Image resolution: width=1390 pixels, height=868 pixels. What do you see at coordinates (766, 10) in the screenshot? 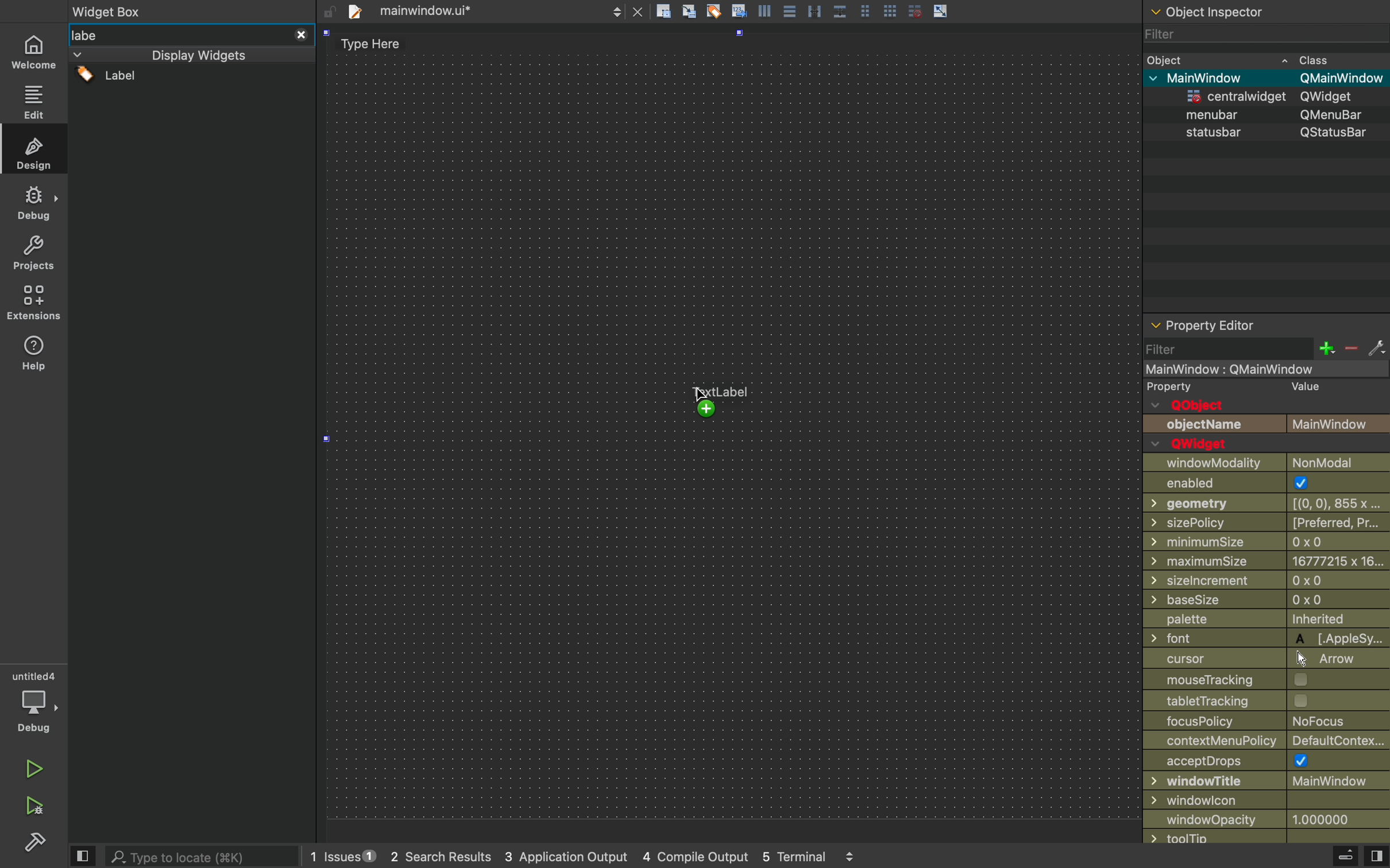
I see `icon` at bounding box center [766, 10].